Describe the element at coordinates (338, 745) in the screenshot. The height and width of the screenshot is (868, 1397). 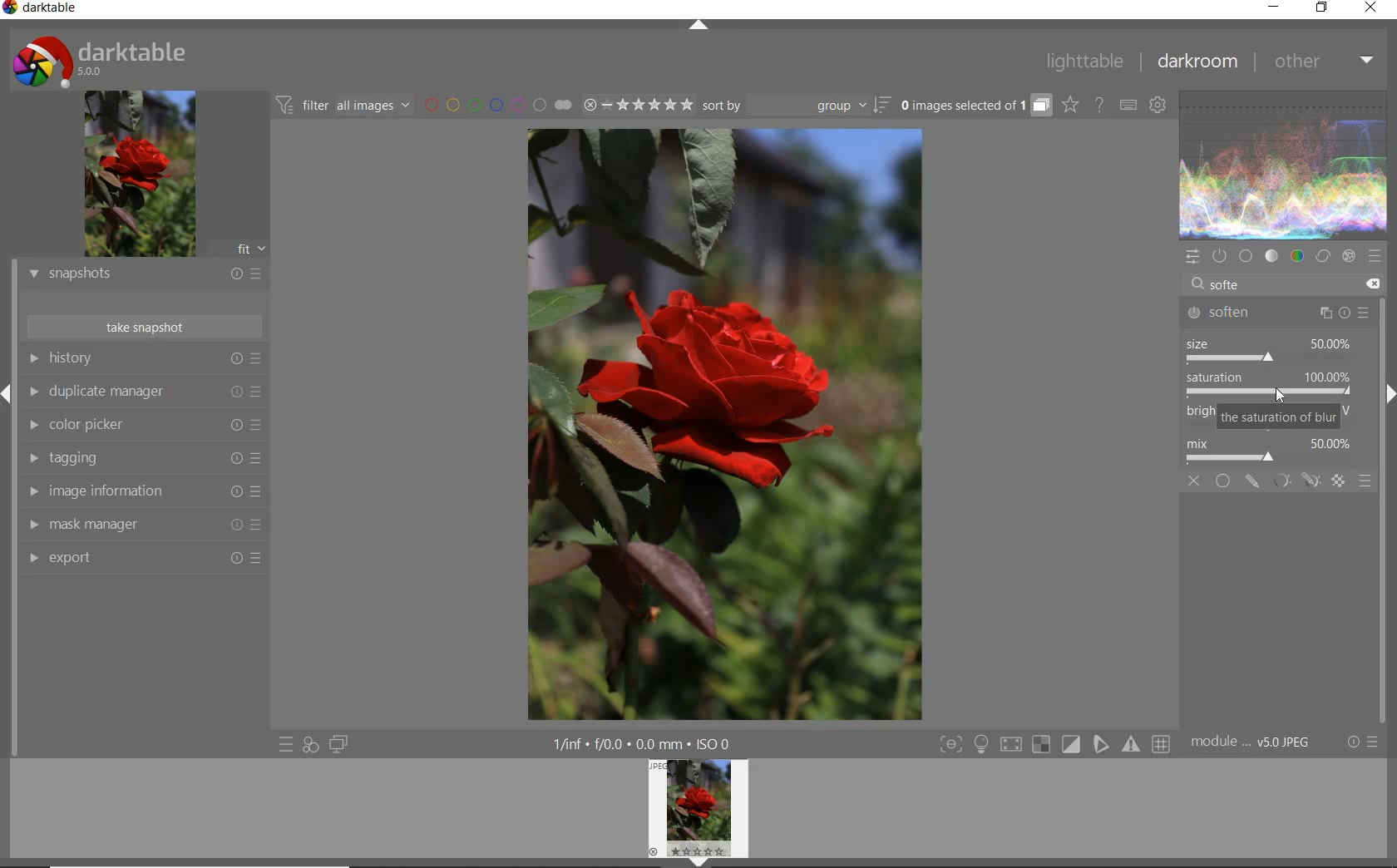
I see `display a second darkroom image window` at that location.